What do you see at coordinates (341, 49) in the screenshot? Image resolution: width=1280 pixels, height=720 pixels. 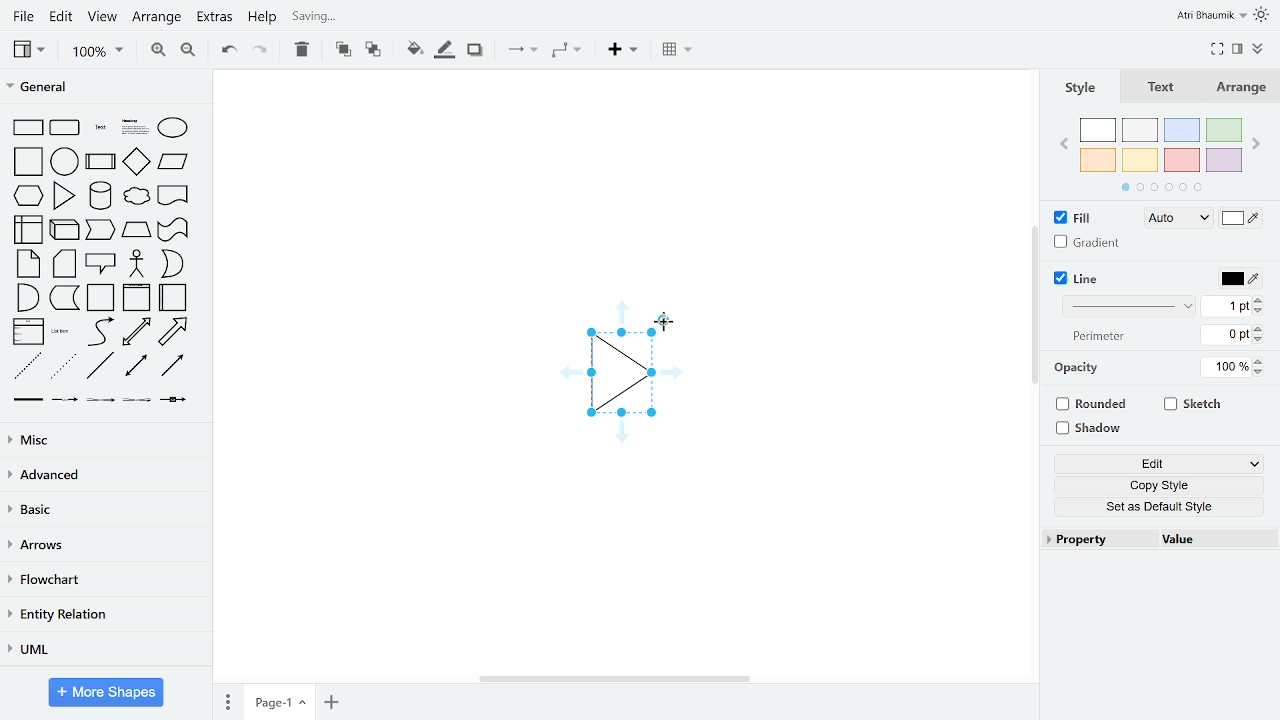 I see `to front` at bounding box center [341, 49].